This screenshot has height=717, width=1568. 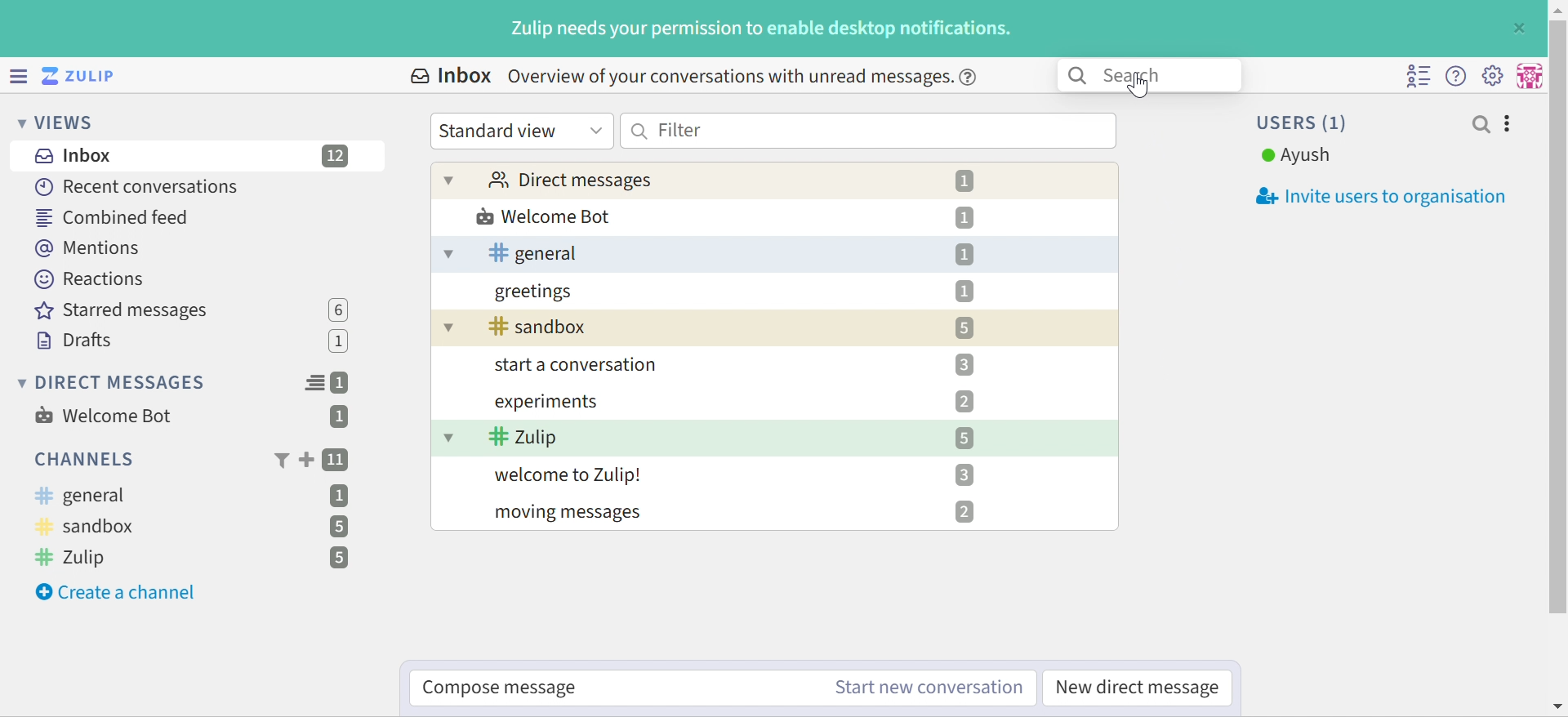 What do you see at coordinates (571, 475) in the screenshot?
I see `welcome to Zulip!` at bounding box center [571, 475].